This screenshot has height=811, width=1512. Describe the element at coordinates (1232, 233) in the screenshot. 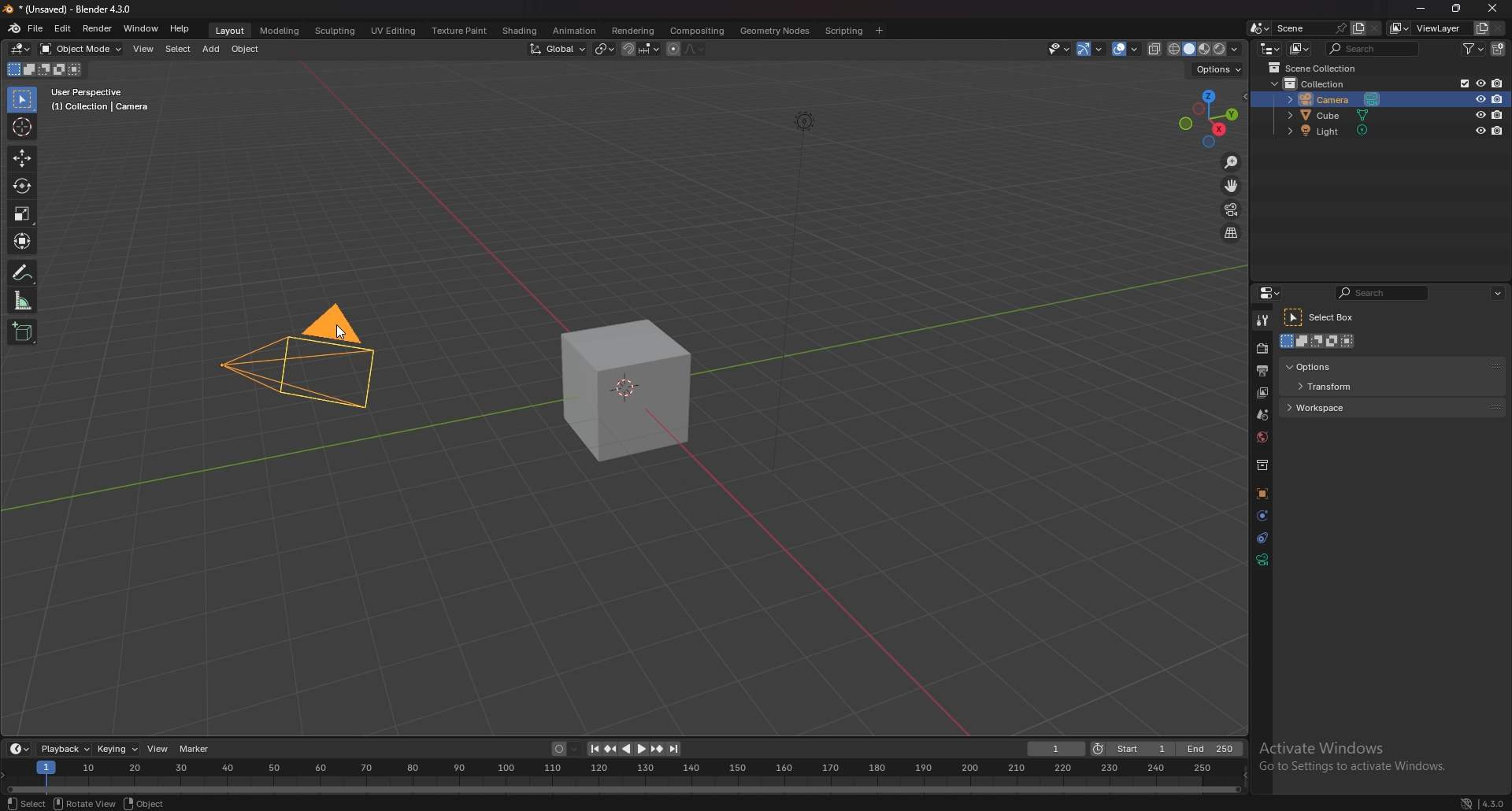

I see `perspective/orthographic` at that location.